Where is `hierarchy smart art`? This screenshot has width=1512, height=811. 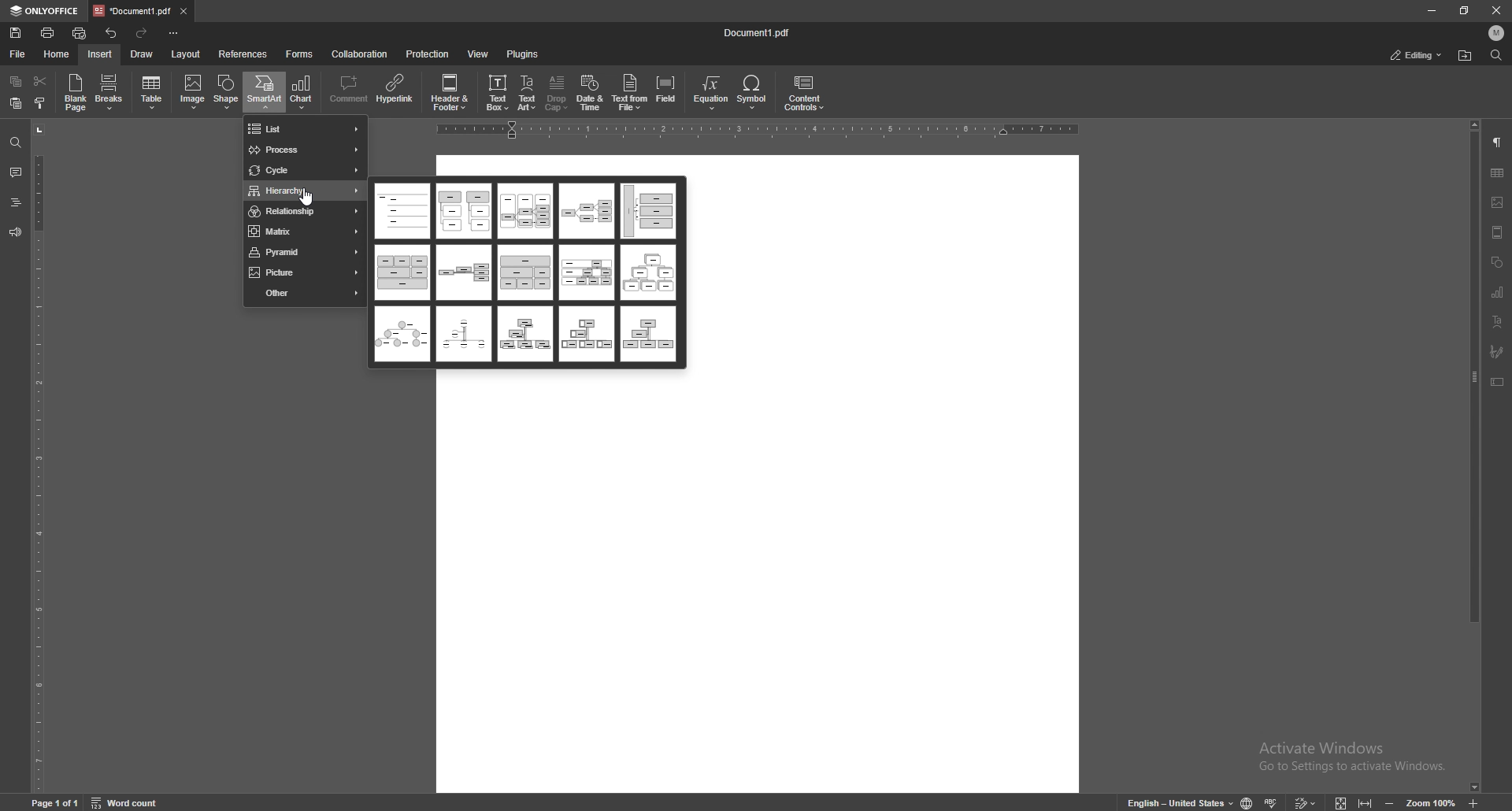
hierarchy smart art is located at coordinates (587, 272).